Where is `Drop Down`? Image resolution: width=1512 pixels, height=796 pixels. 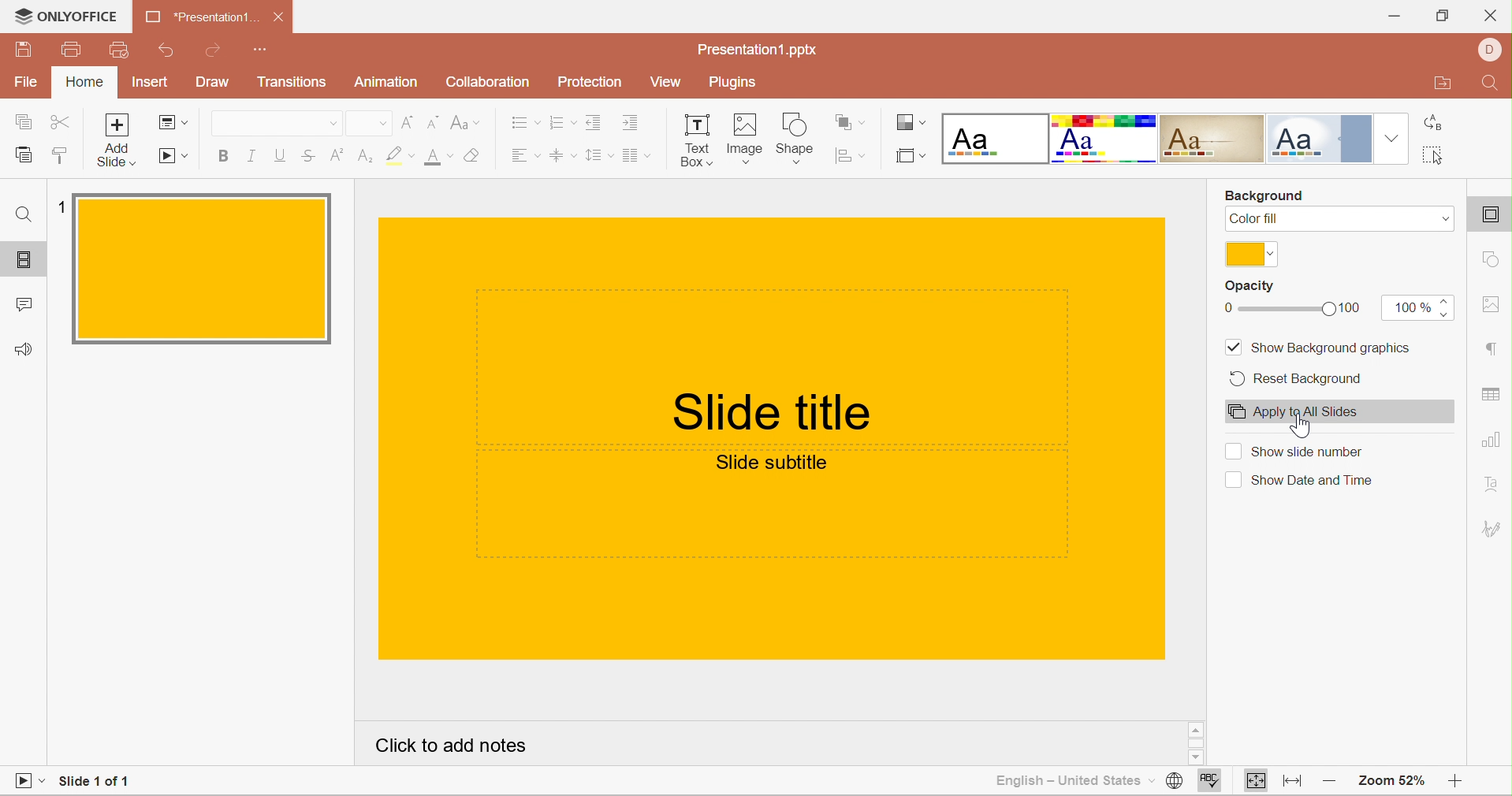 Drop Down is located at coordinates (381, 124).